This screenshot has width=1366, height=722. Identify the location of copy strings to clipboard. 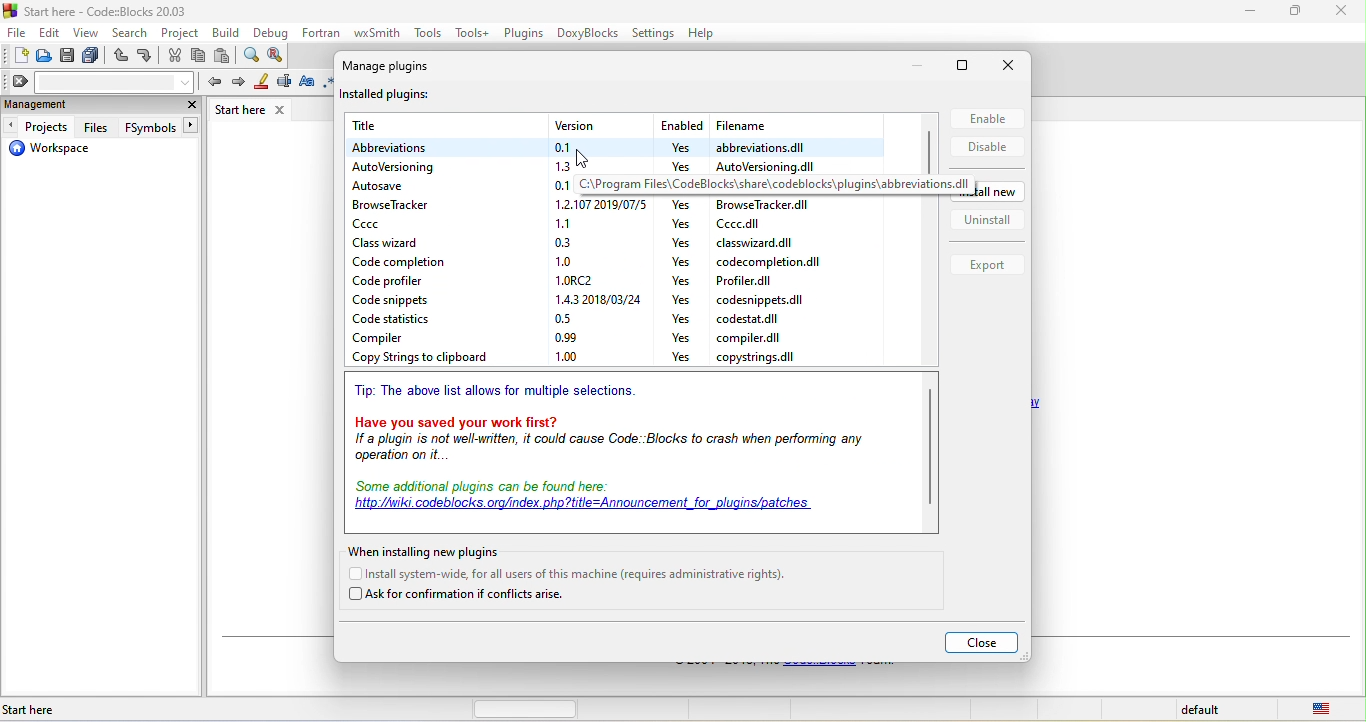
(420, 359).